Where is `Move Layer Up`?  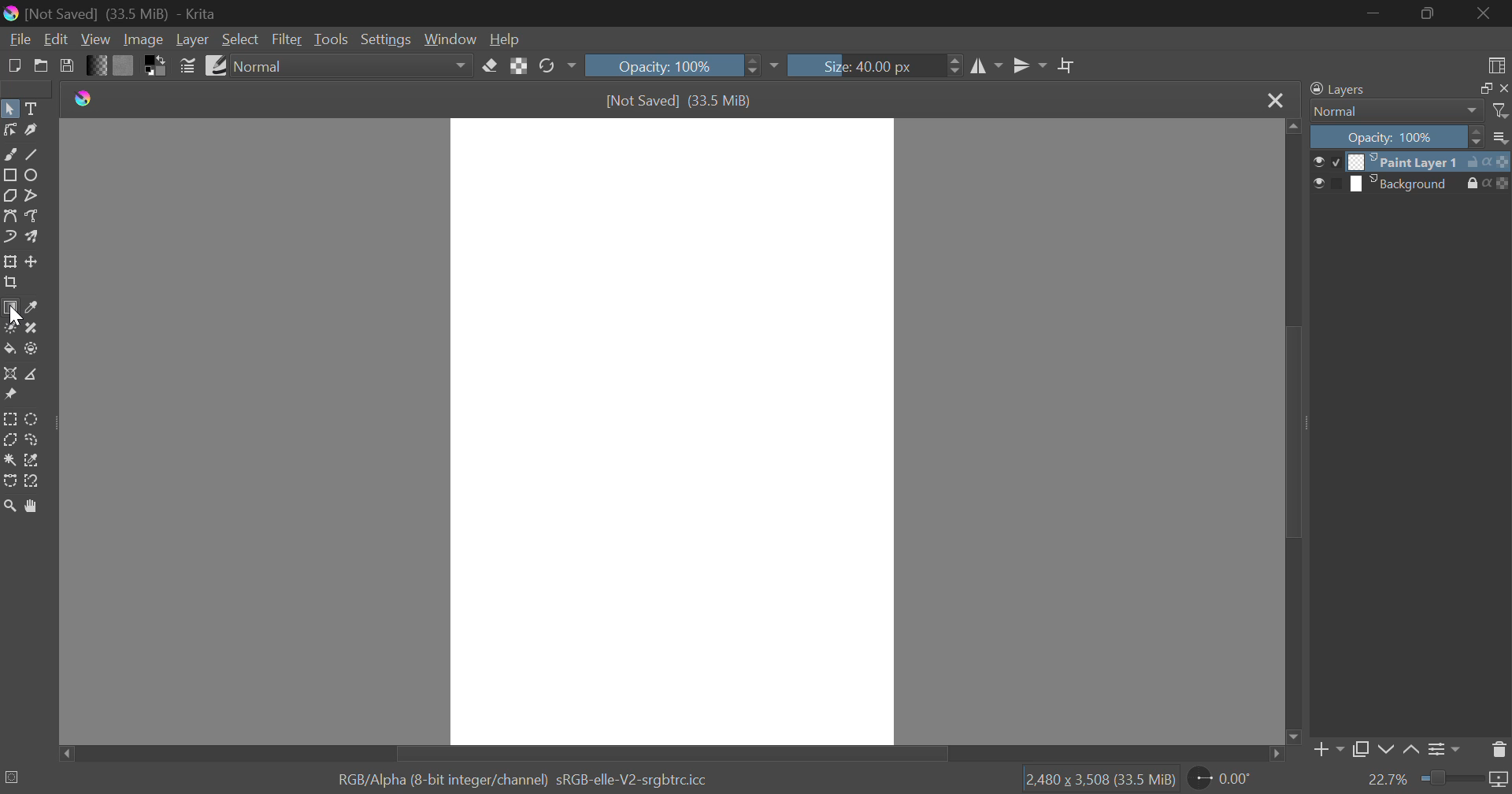 Move Layer Up is located at coordinates (1412, 751).